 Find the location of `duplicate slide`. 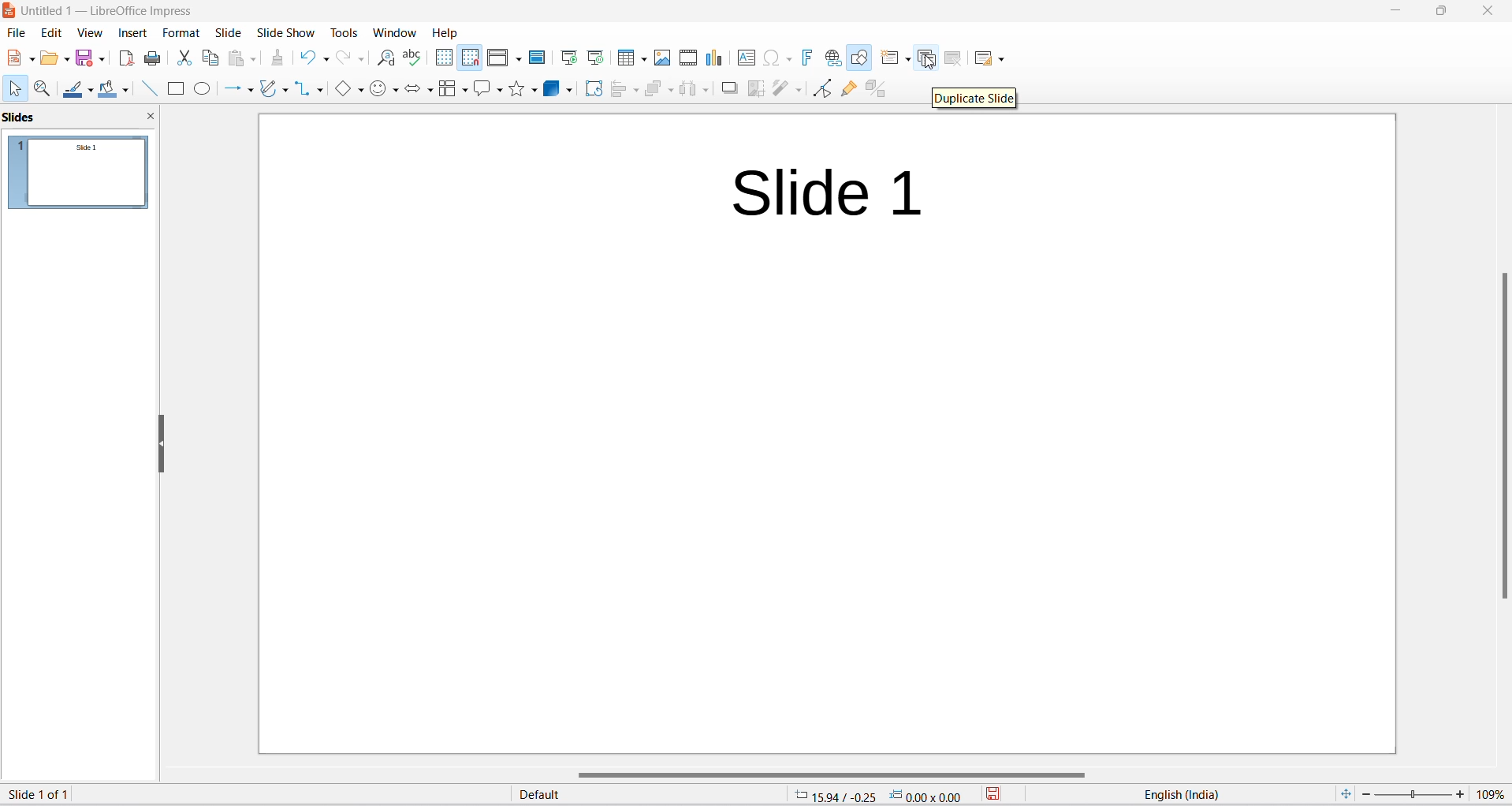

duplicate slide is located at coordinates (929, 57).